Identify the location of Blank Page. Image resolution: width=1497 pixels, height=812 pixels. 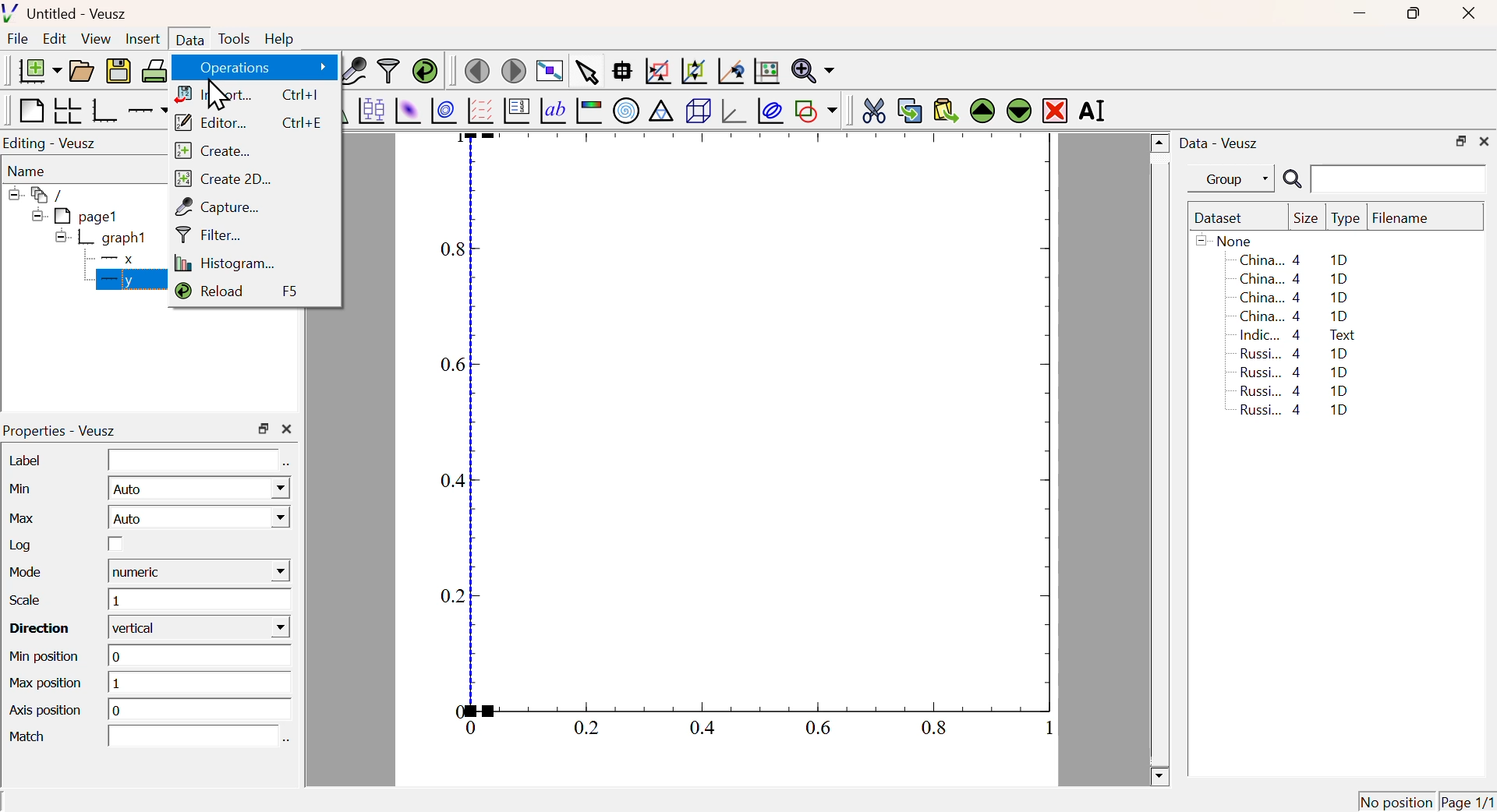
(30, 111).